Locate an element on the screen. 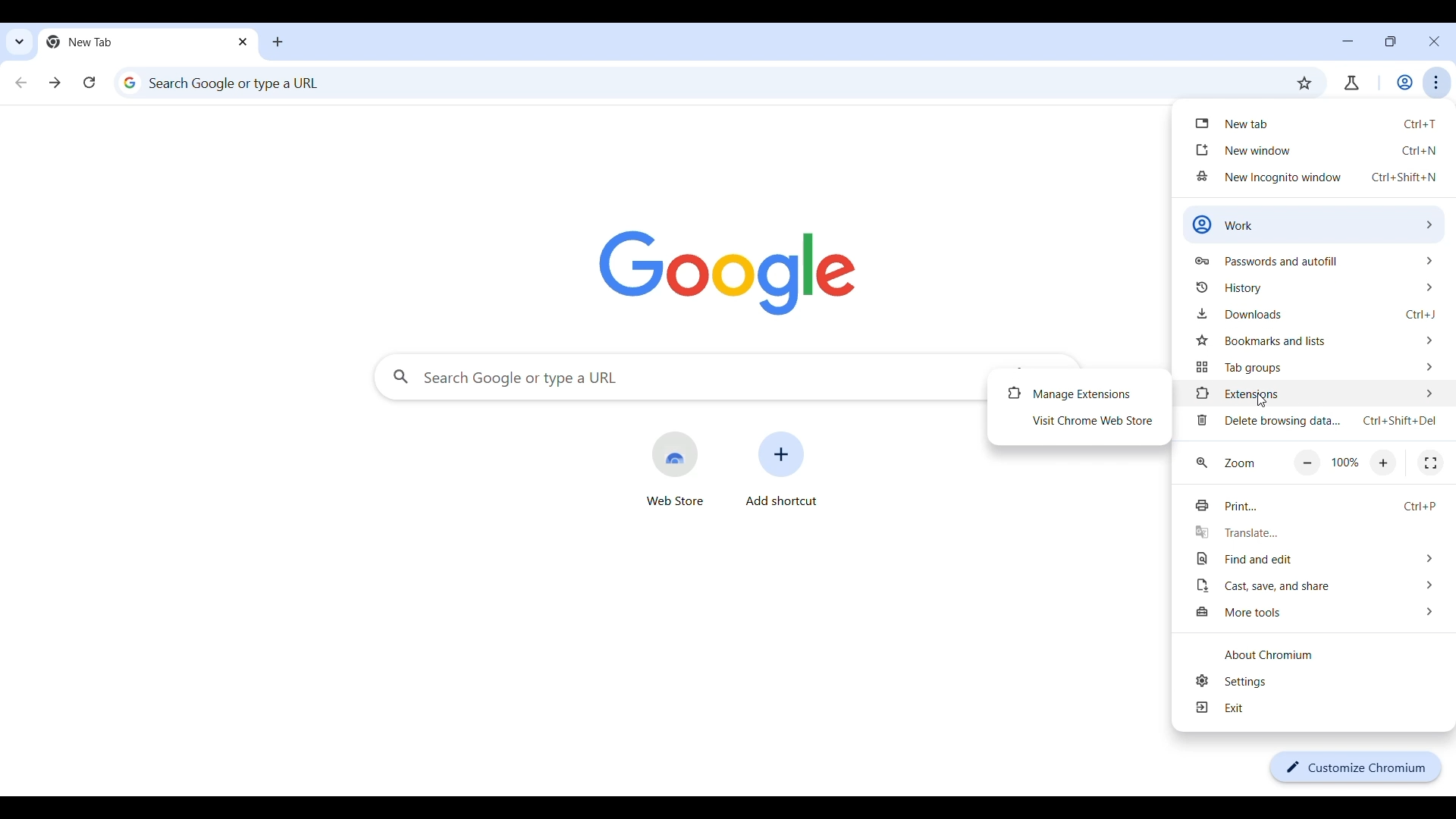 The image size is (1456, 819). Close interface is located at coordinates (1434, 41).